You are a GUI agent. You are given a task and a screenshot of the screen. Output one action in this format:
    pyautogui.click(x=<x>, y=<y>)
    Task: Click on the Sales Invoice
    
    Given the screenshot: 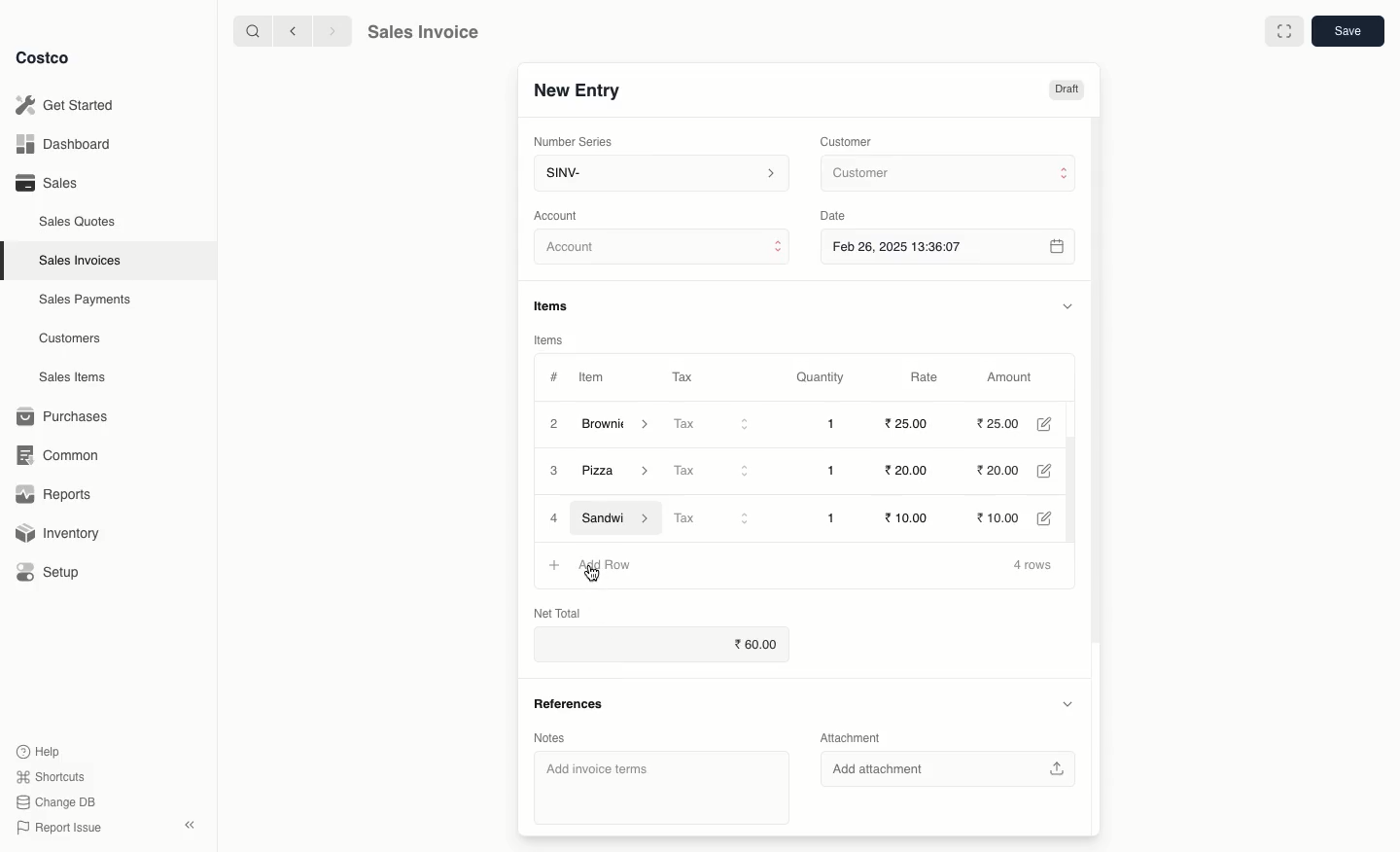 What is the action you would take?
    pyautogui.click(x=423, y=34)
    